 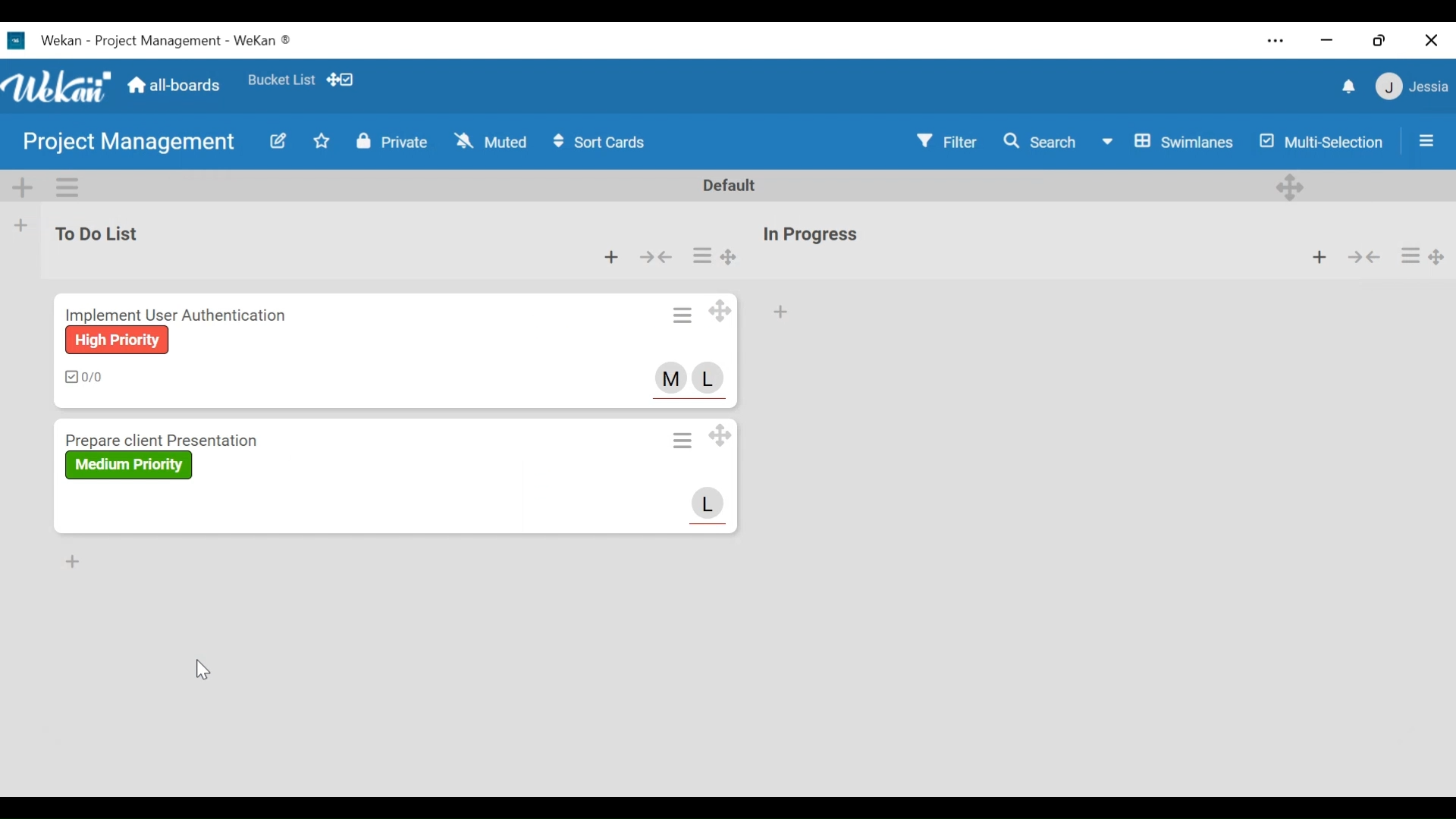 I want to click on label, so click(x=117, y=340).